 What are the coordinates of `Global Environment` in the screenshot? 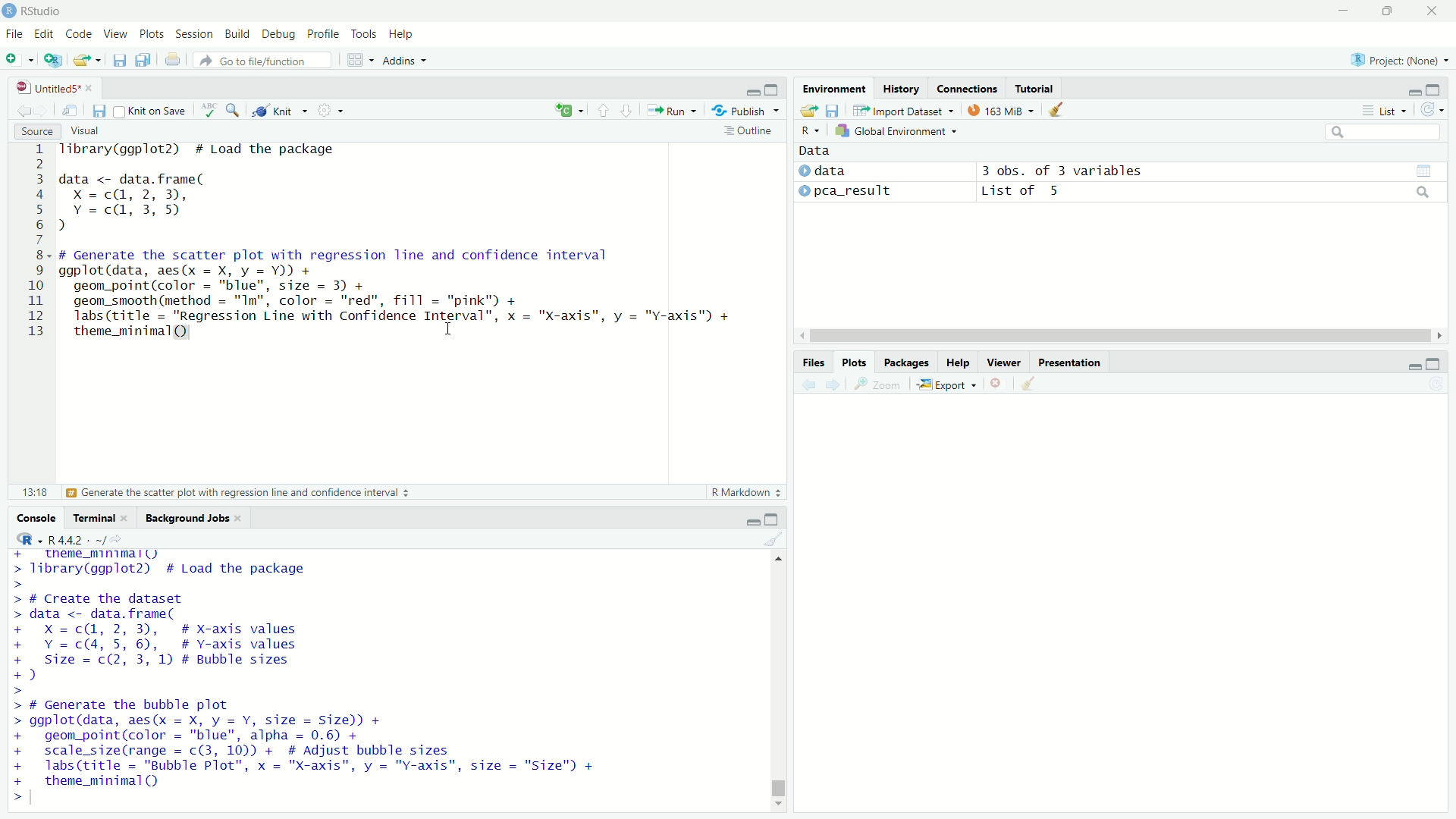 It's located at (898, 130).